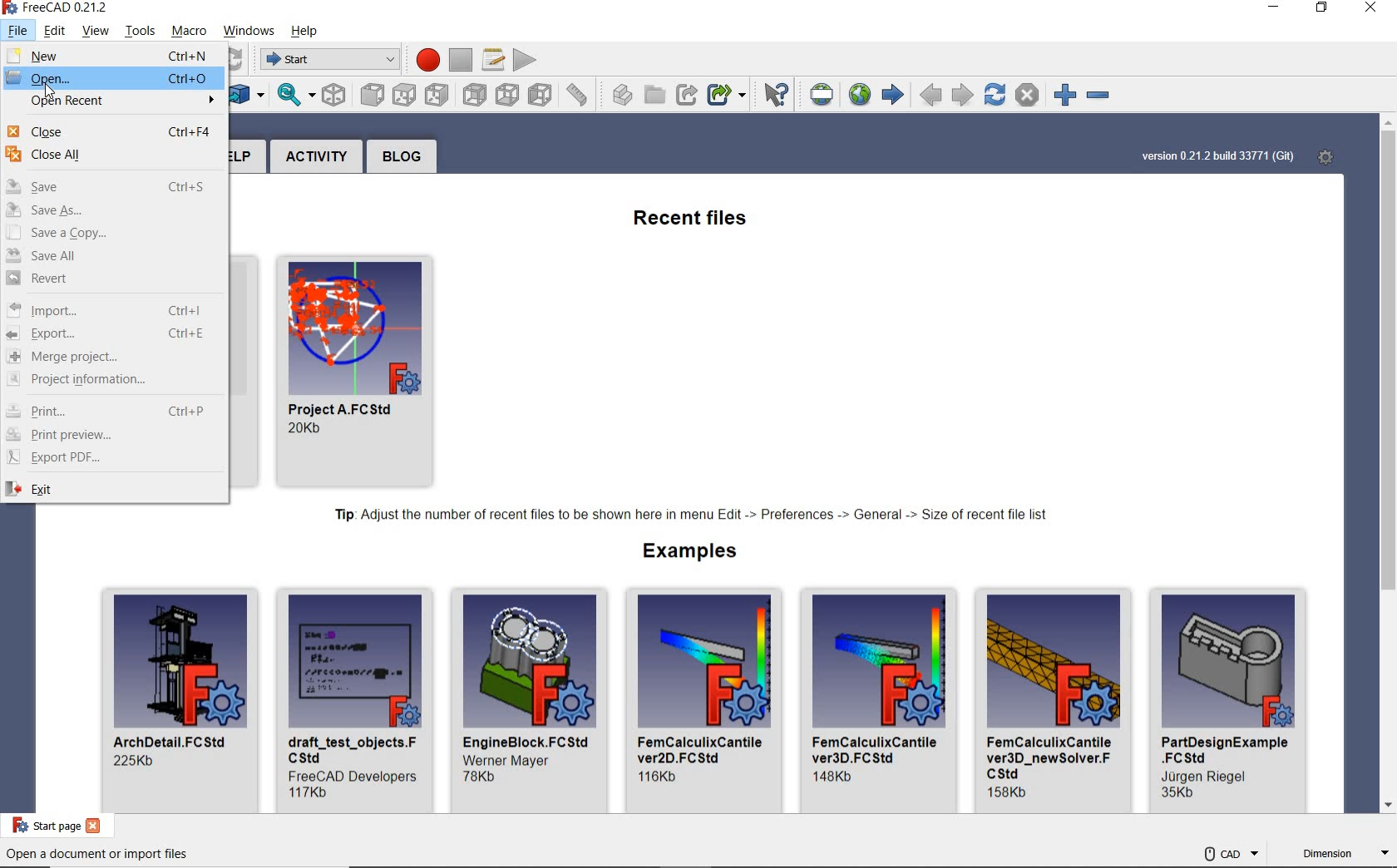 This screenshot has height=868, width=1397. Describe the element at coordinates (1101, 96) in the screenshot. I see `ZOOM OUT` at that location.